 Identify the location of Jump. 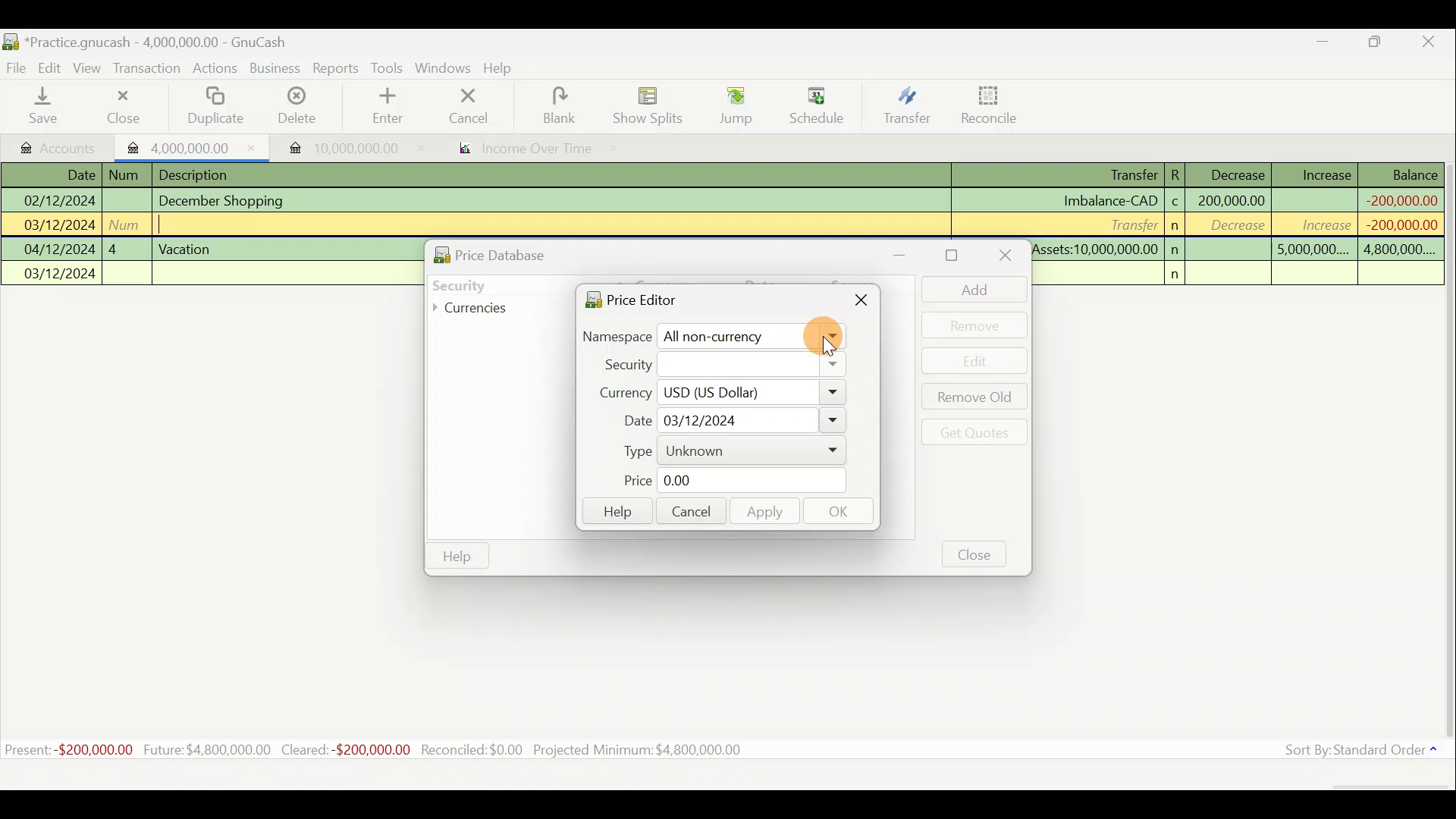
(730, 106).